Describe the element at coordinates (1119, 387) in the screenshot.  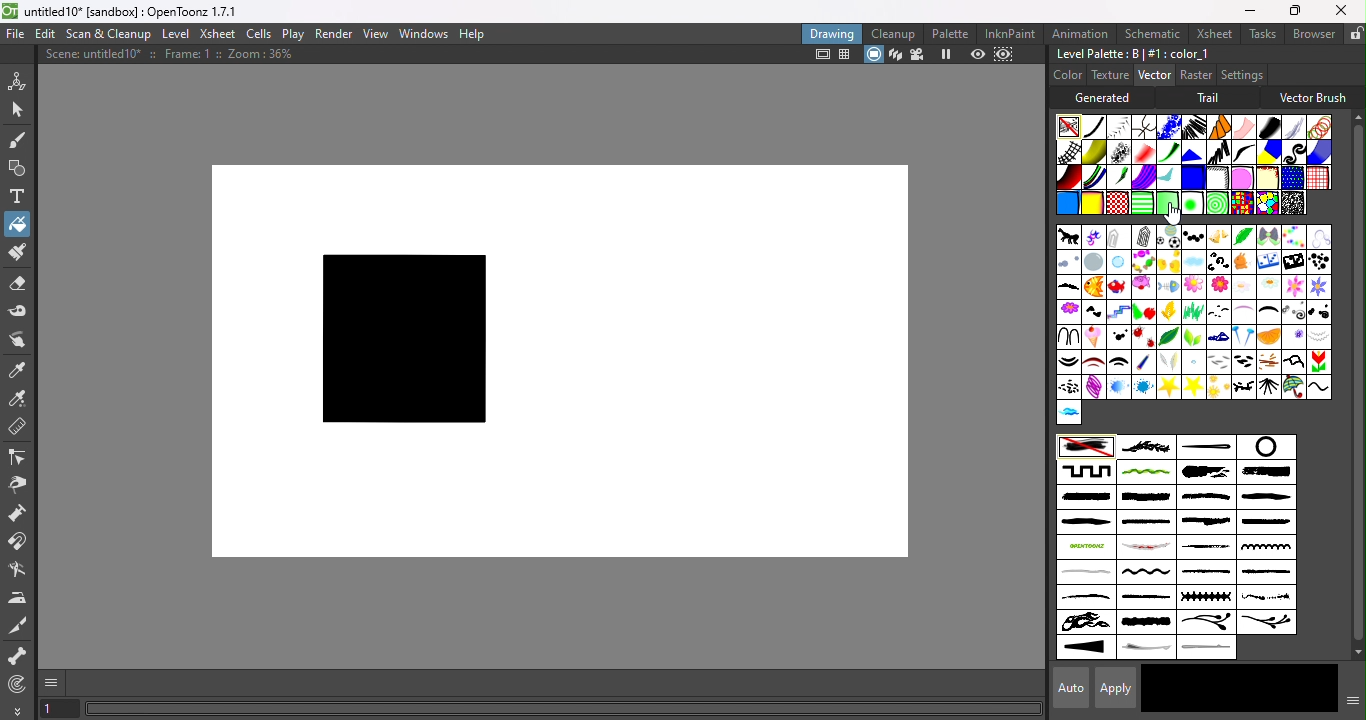
I see `stai` at that location.